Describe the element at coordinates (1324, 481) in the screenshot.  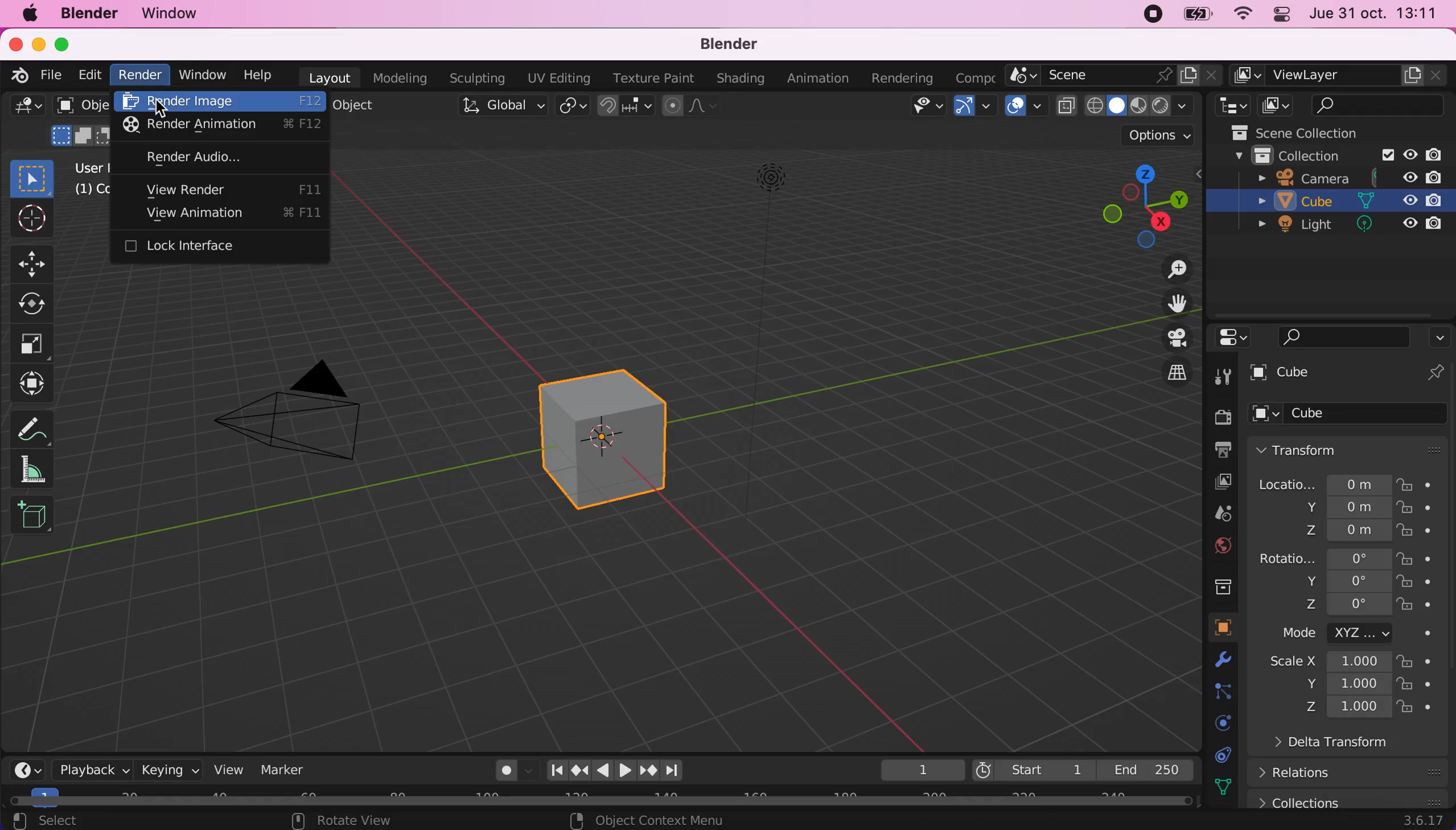
I see `location` at that location.